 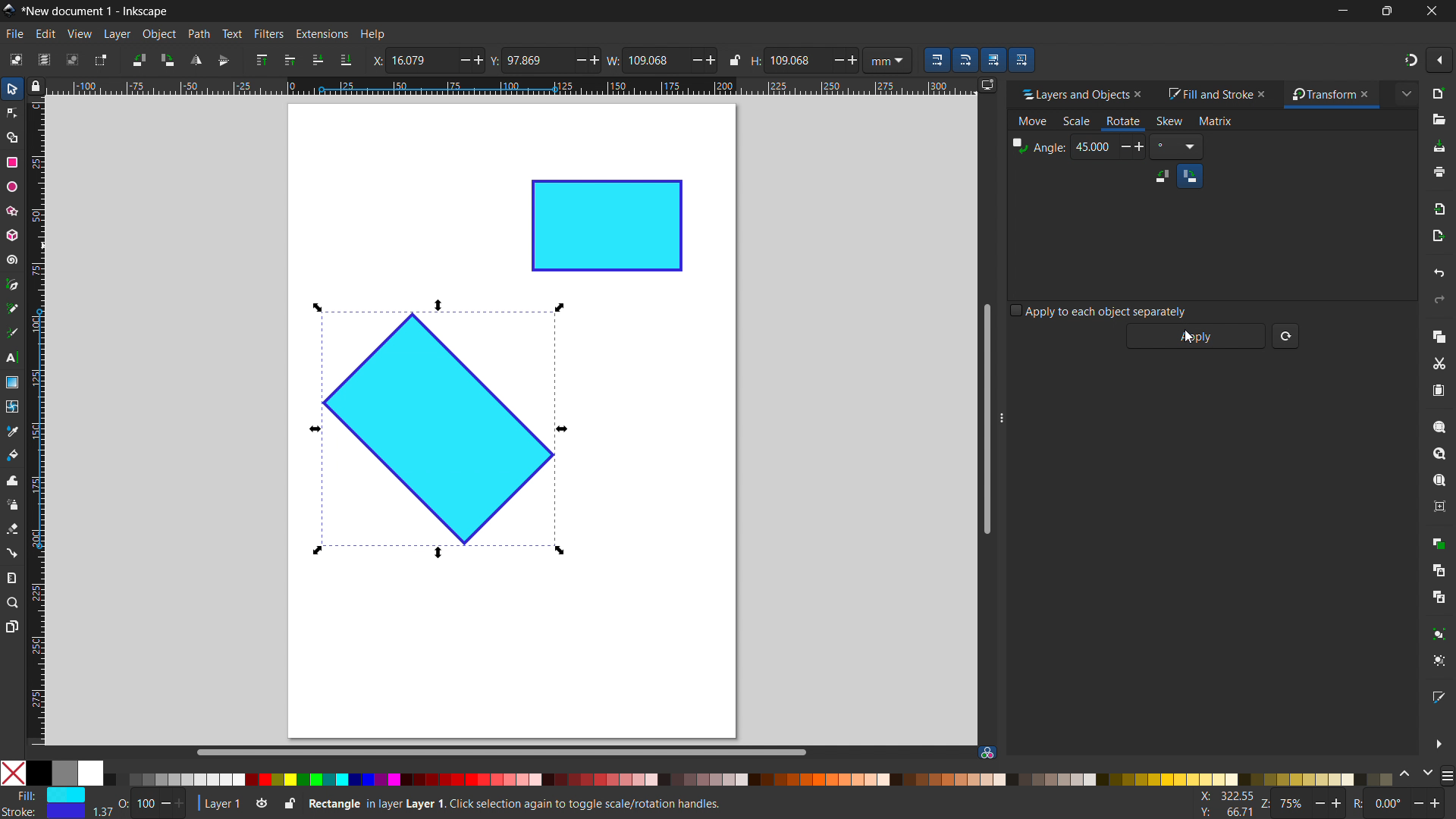 I want to click on text, so click(x=231, y=33).